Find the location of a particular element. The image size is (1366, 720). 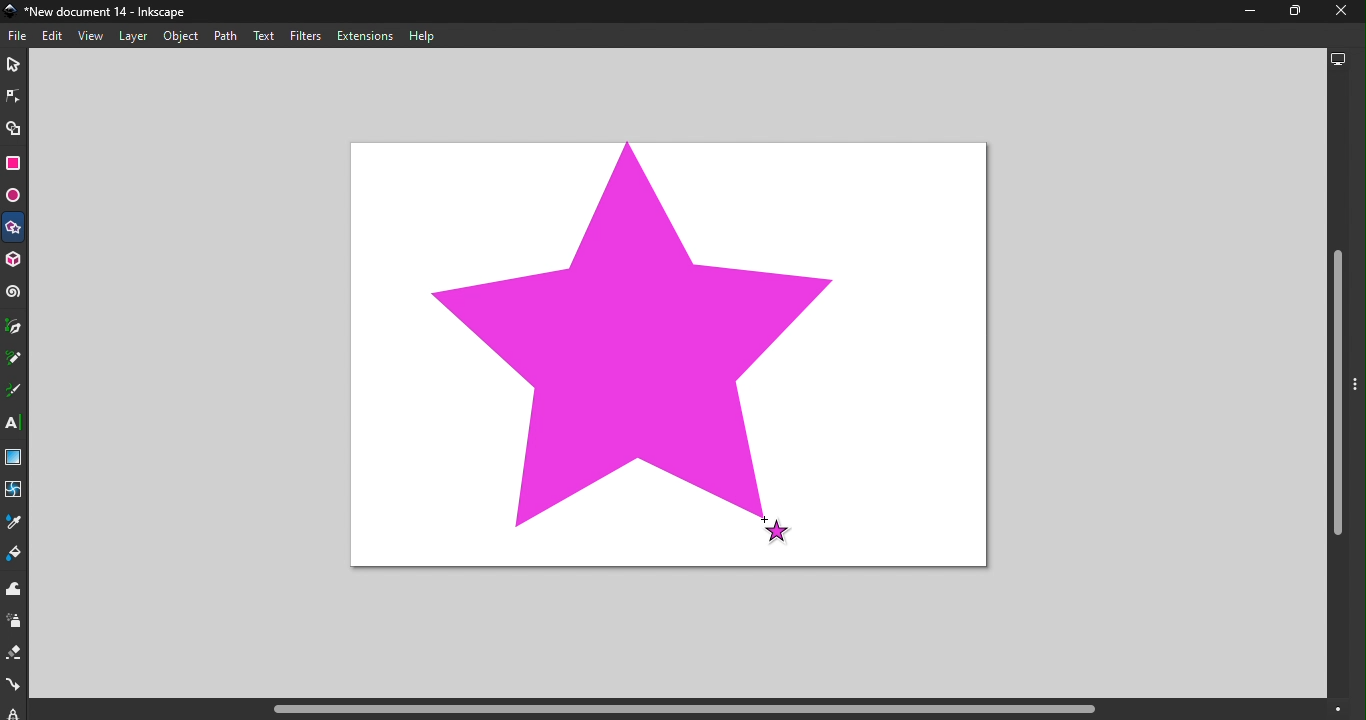

Star/Polygon is located at coordinates (14, 230).